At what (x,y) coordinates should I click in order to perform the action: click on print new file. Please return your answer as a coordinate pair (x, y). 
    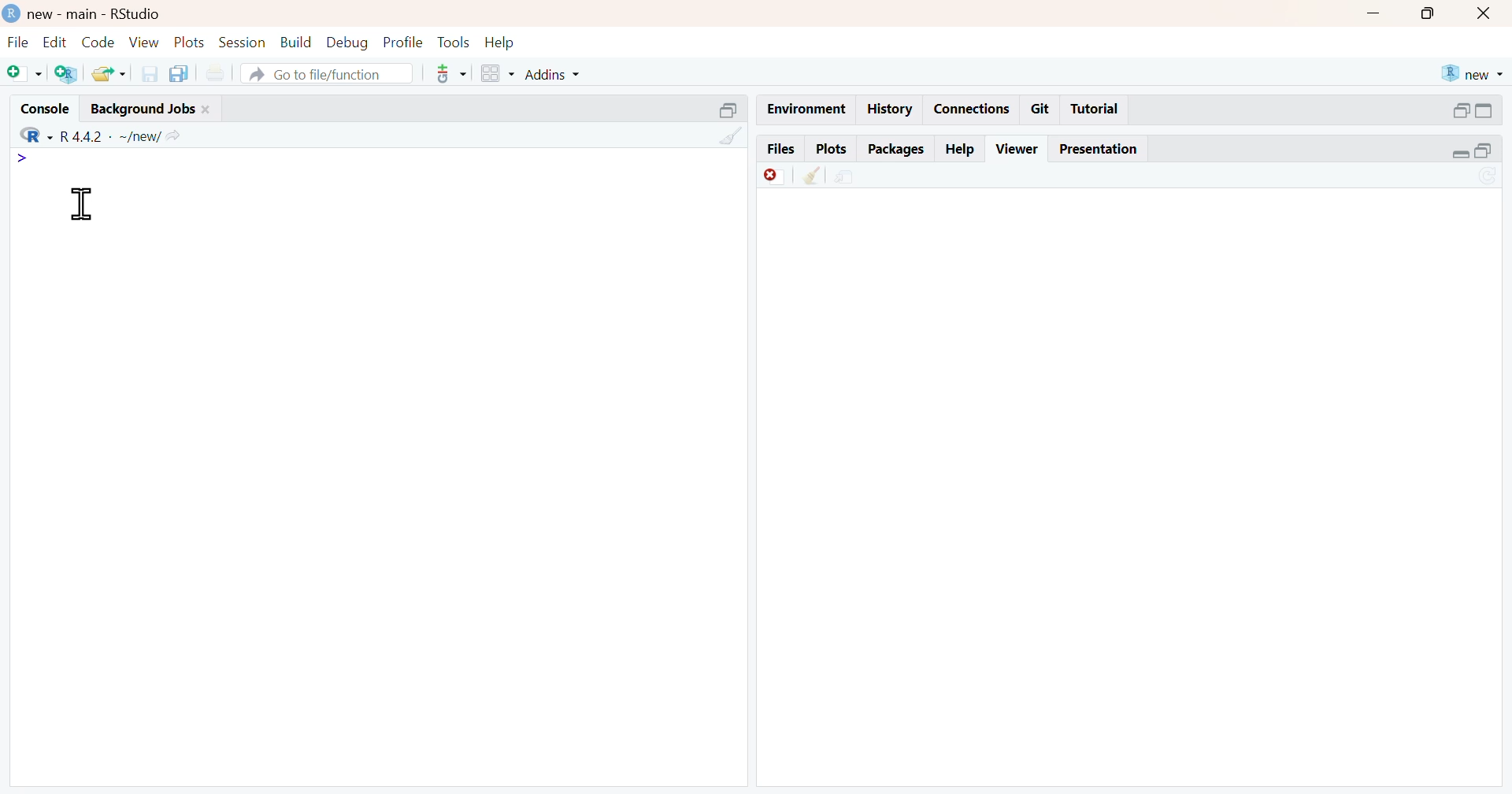
    Looking at the image, I should click on (217, 75).